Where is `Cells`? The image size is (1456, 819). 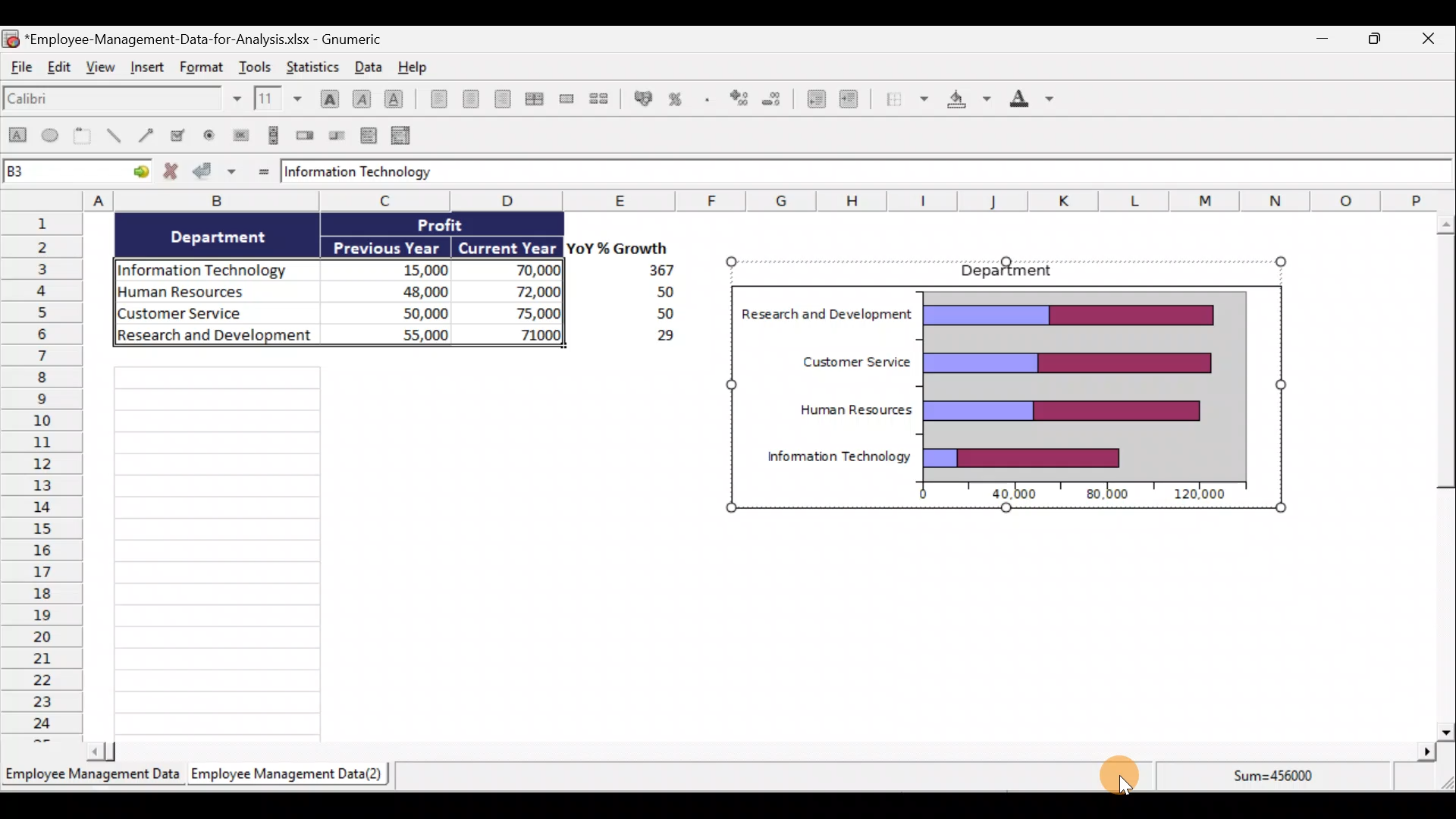 Cells is located at coordinates (394, 550).